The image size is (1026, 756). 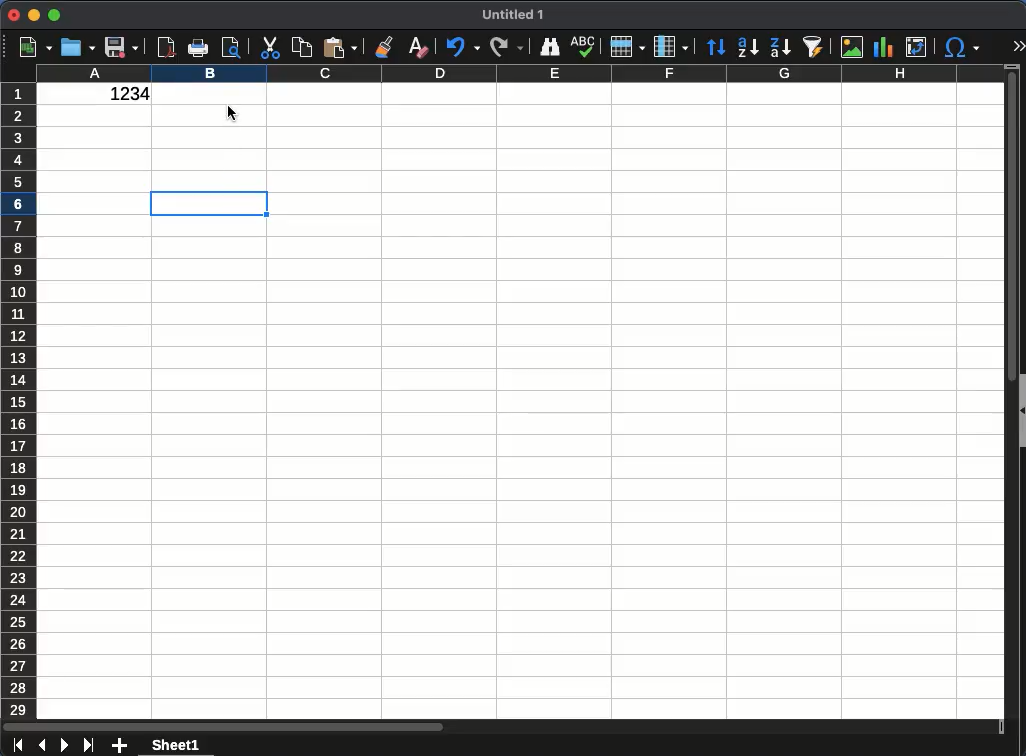 I want to click on image, so click(x=852, y=45).